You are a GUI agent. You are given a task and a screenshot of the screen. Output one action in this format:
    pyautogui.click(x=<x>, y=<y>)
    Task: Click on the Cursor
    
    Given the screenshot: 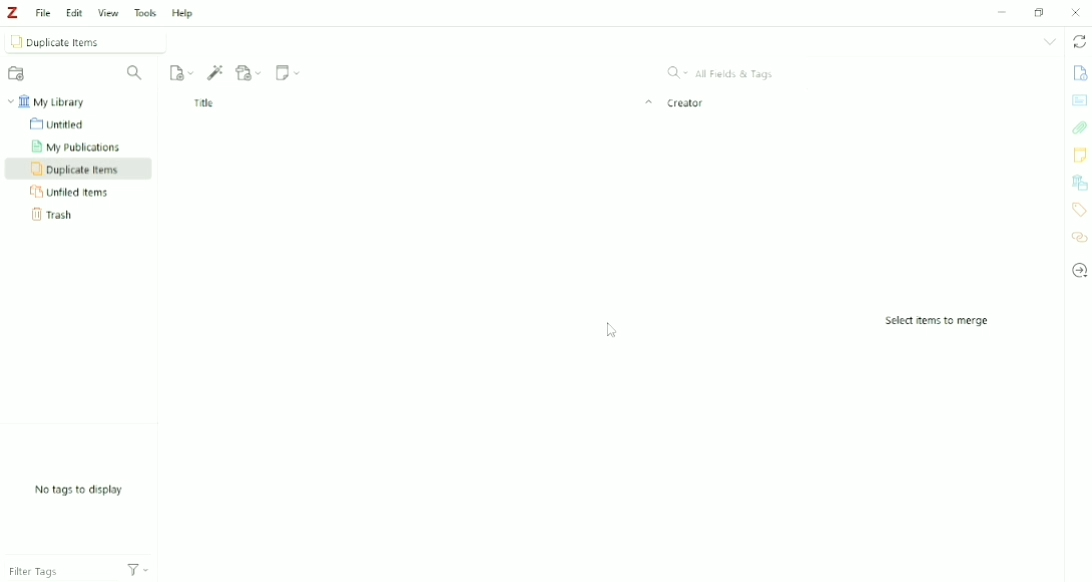 What is the action you would take?
    pyautogui.click(x=612, y=331)
    